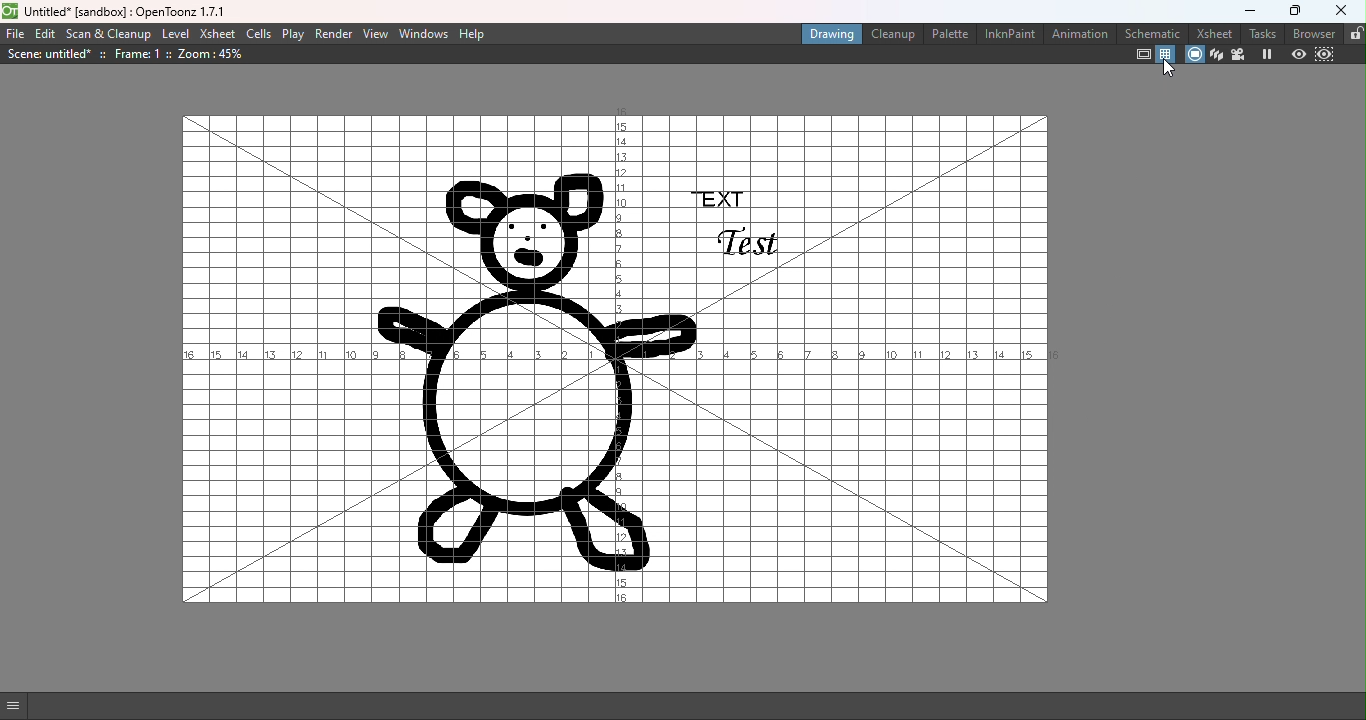  What do you see at coordinates (218, 36) in the screenshot?
I see `Xsheet` at bounding box center [218, 36].